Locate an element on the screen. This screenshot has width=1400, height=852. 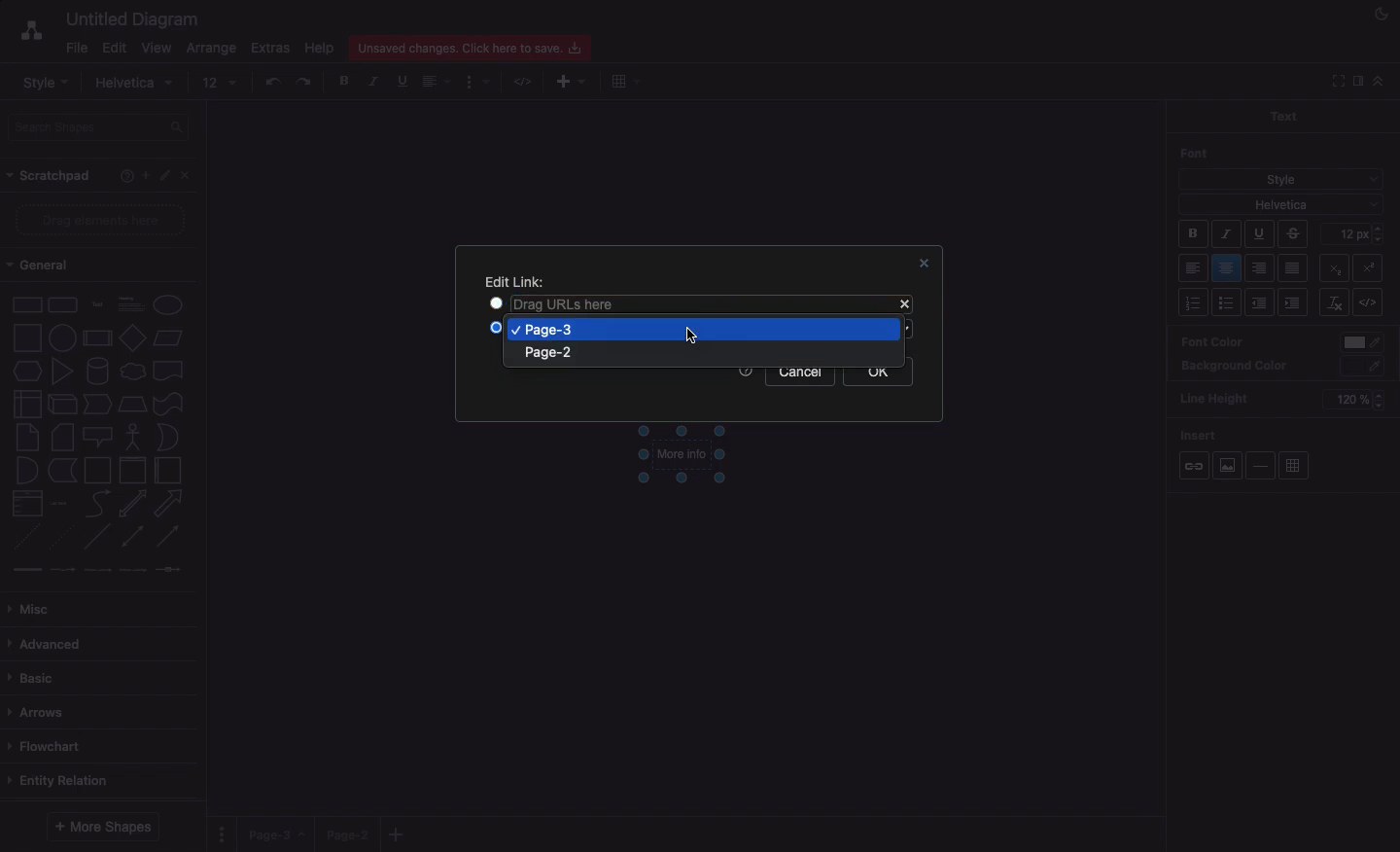
bidirectional connector  is located at coordinates (131, 536).